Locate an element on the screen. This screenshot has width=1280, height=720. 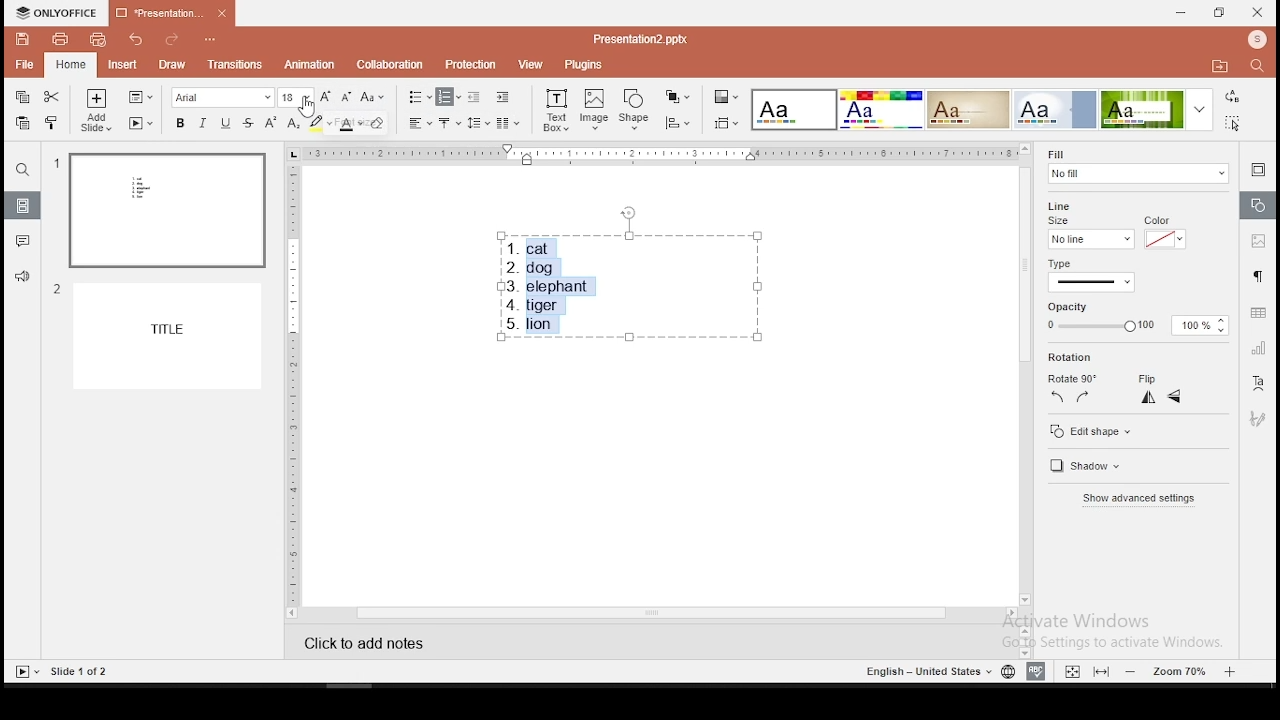
minimize is located at coordinates (1182, 13).